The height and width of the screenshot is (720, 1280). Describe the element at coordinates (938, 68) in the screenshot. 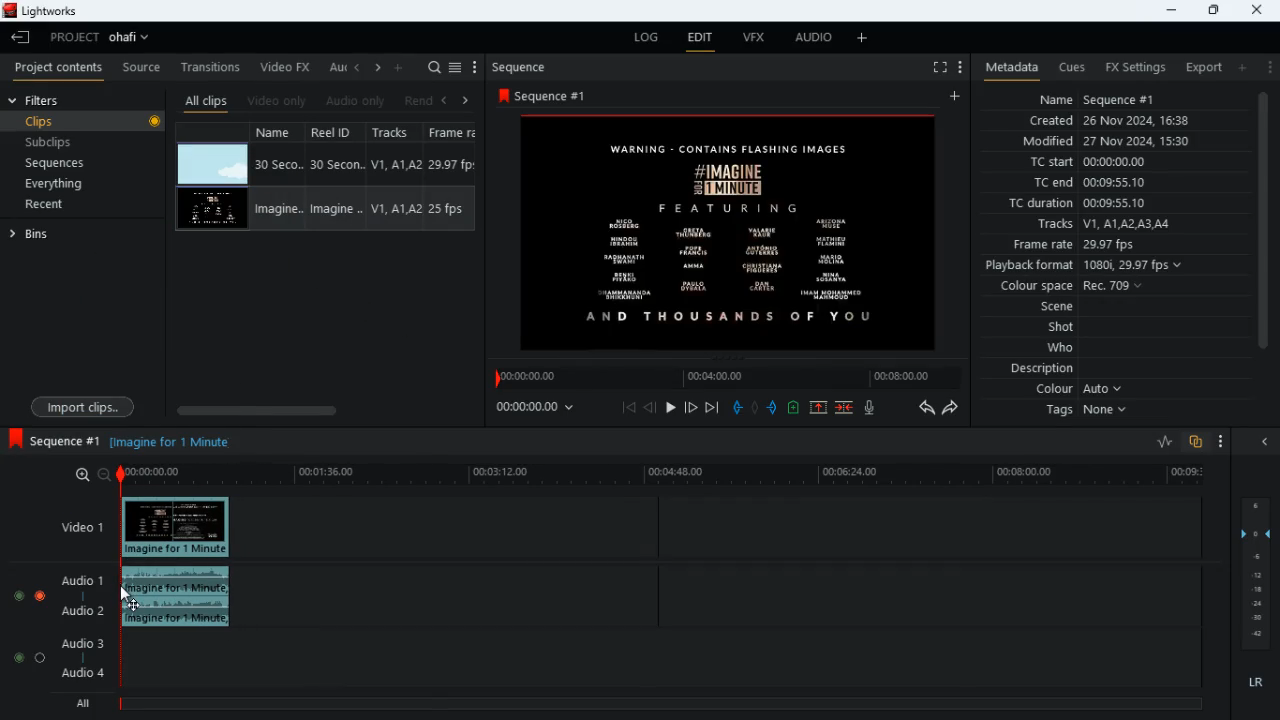

I see `fullscreen` at that location.